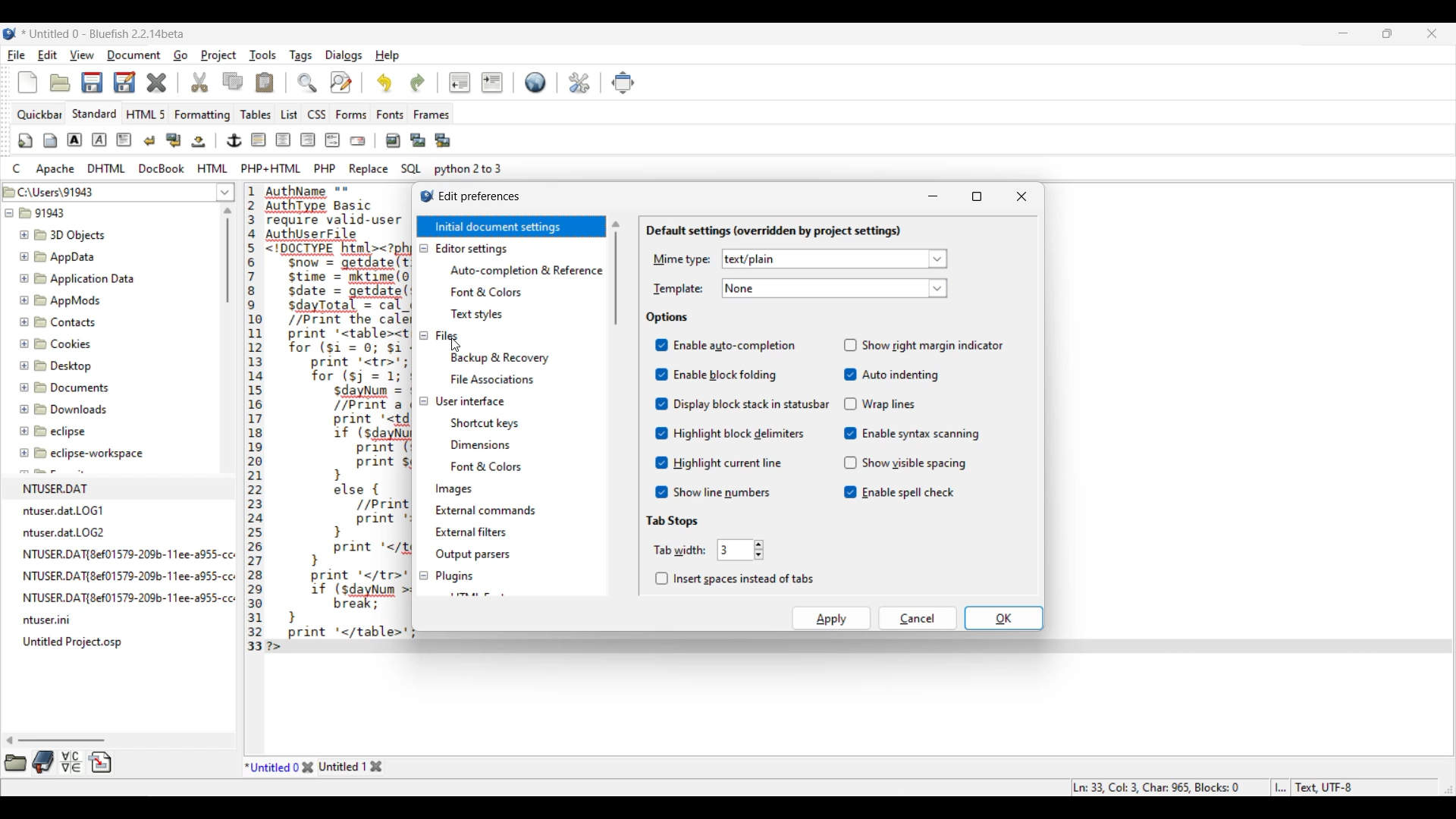  I want to click on Go menu, so click(180, 55).